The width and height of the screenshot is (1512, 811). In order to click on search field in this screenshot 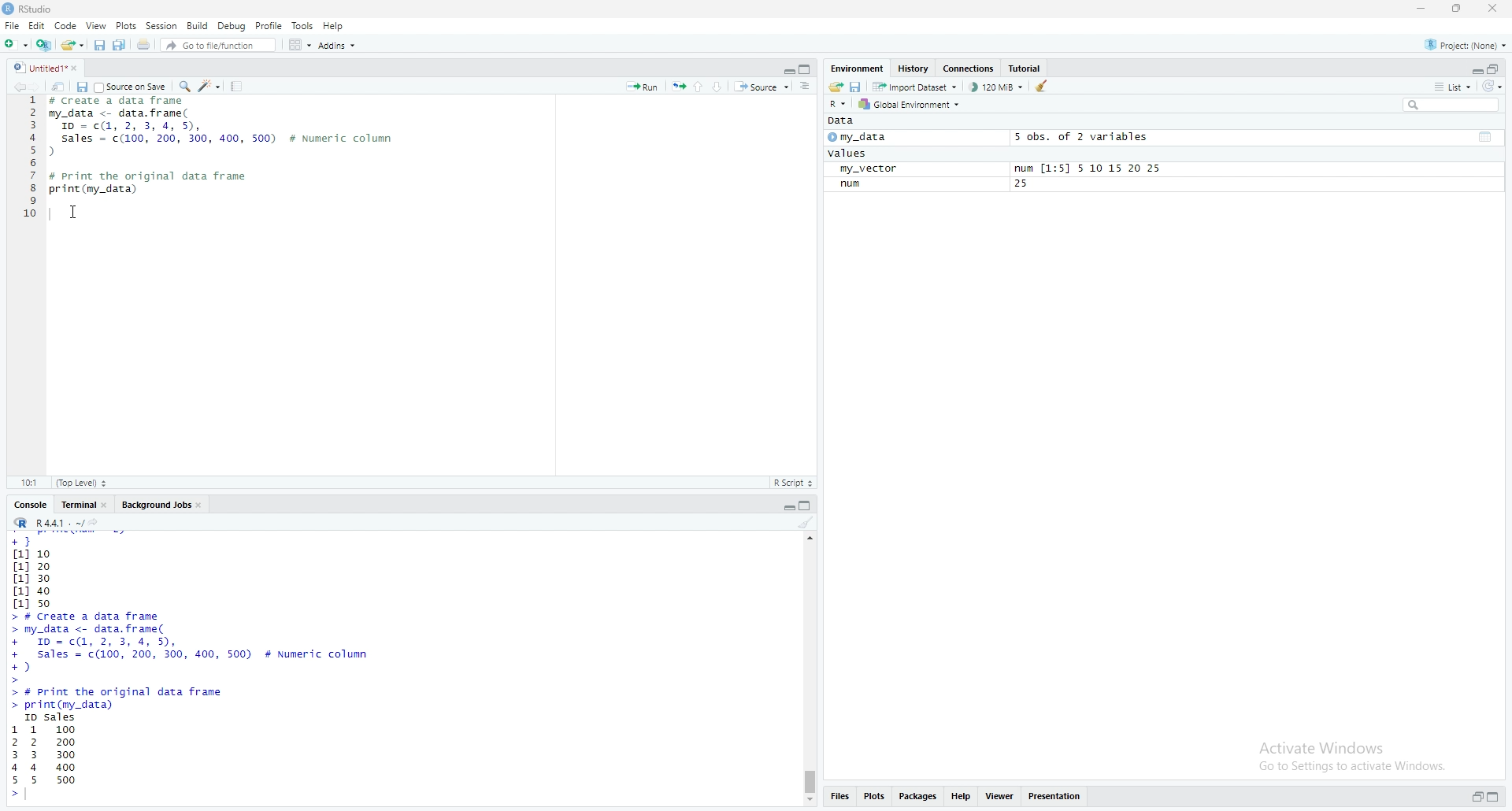, I will do `click(1449, 106)`.